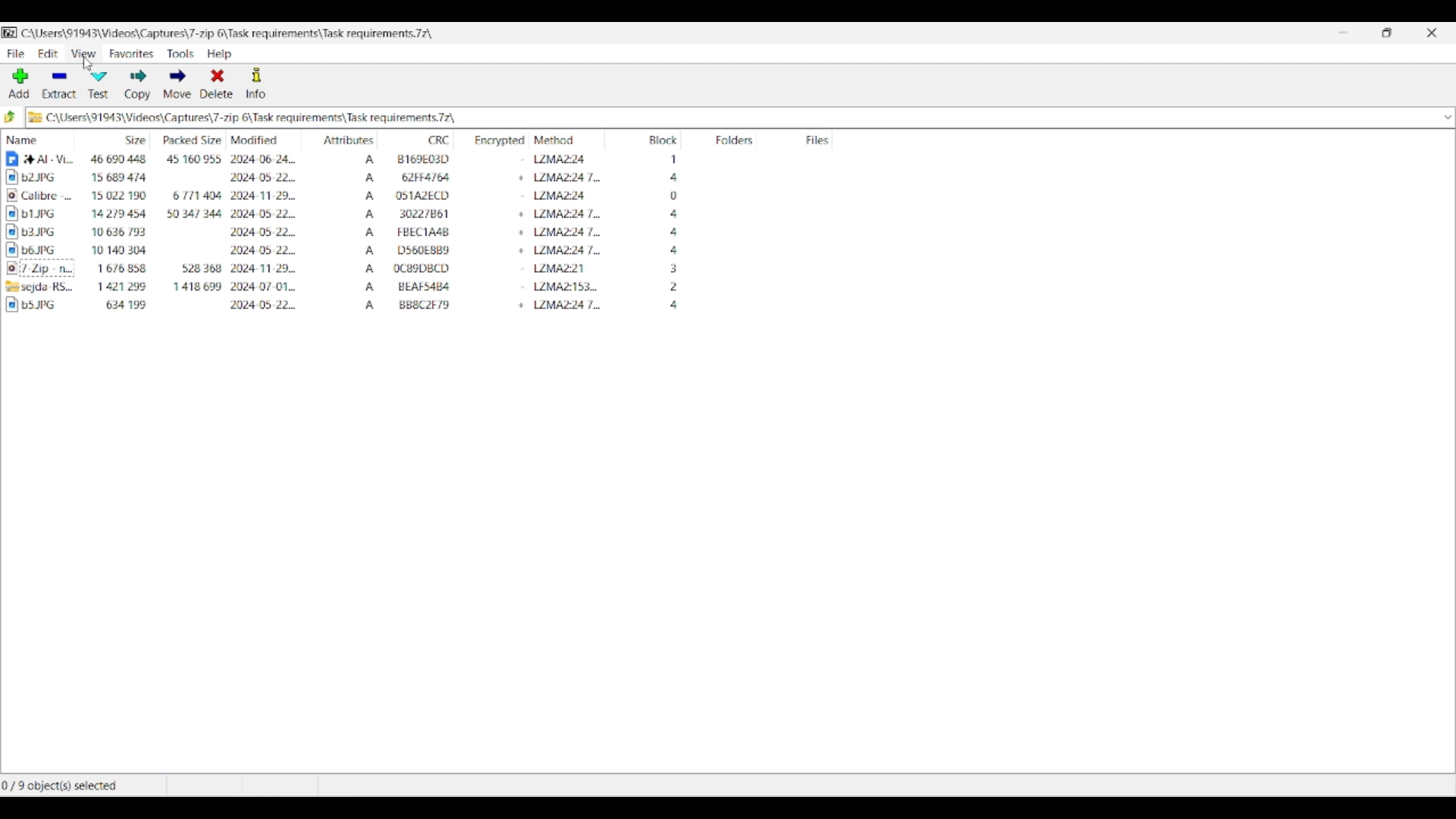  What do you see at coordinates (340, 139) in the screenshot?
I see `Attributes column` at bounding box center [340, 139].